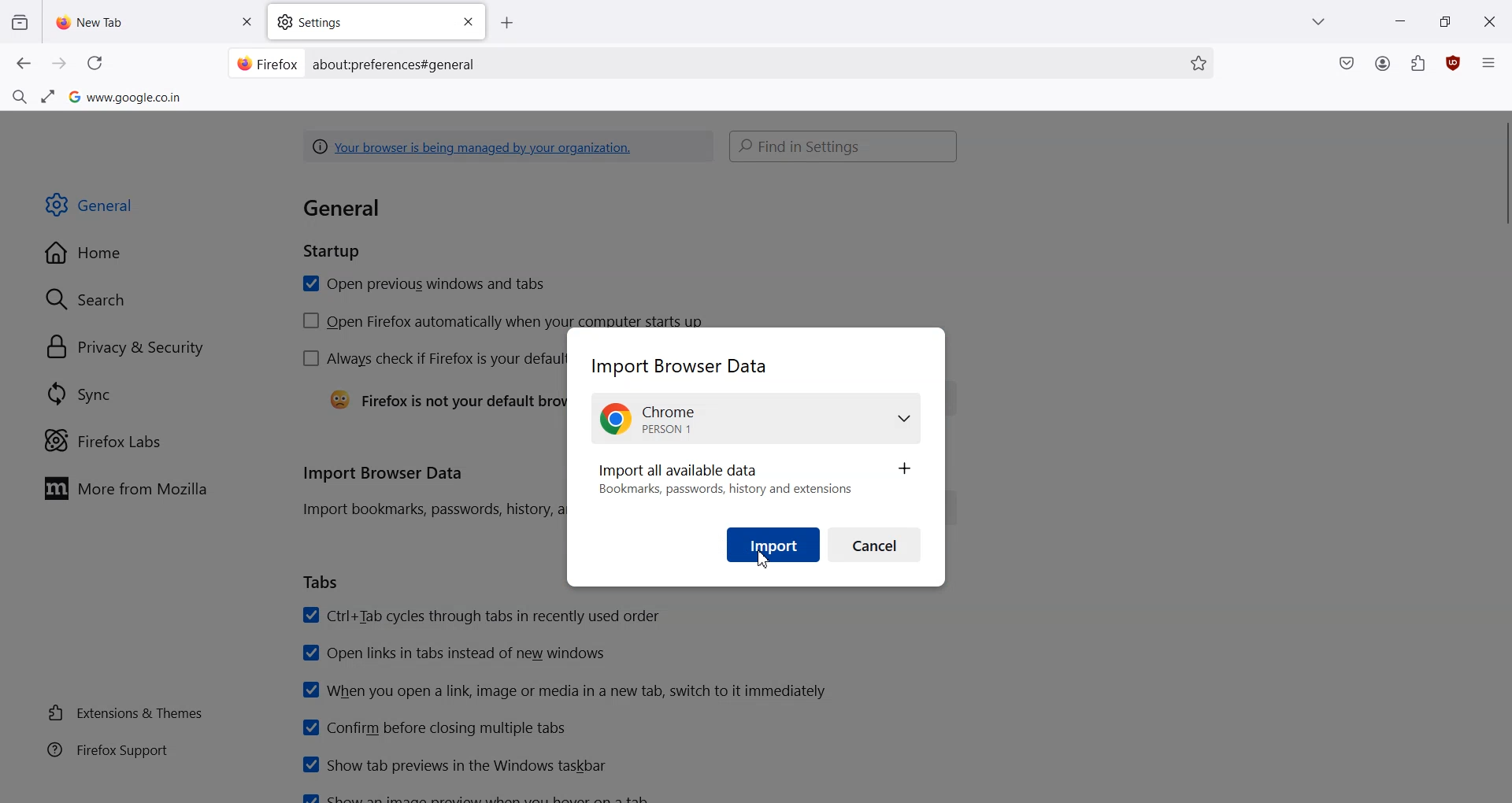  Describe the element at coordinates (774, 545) in the screenshot. I see `Import` at that location.